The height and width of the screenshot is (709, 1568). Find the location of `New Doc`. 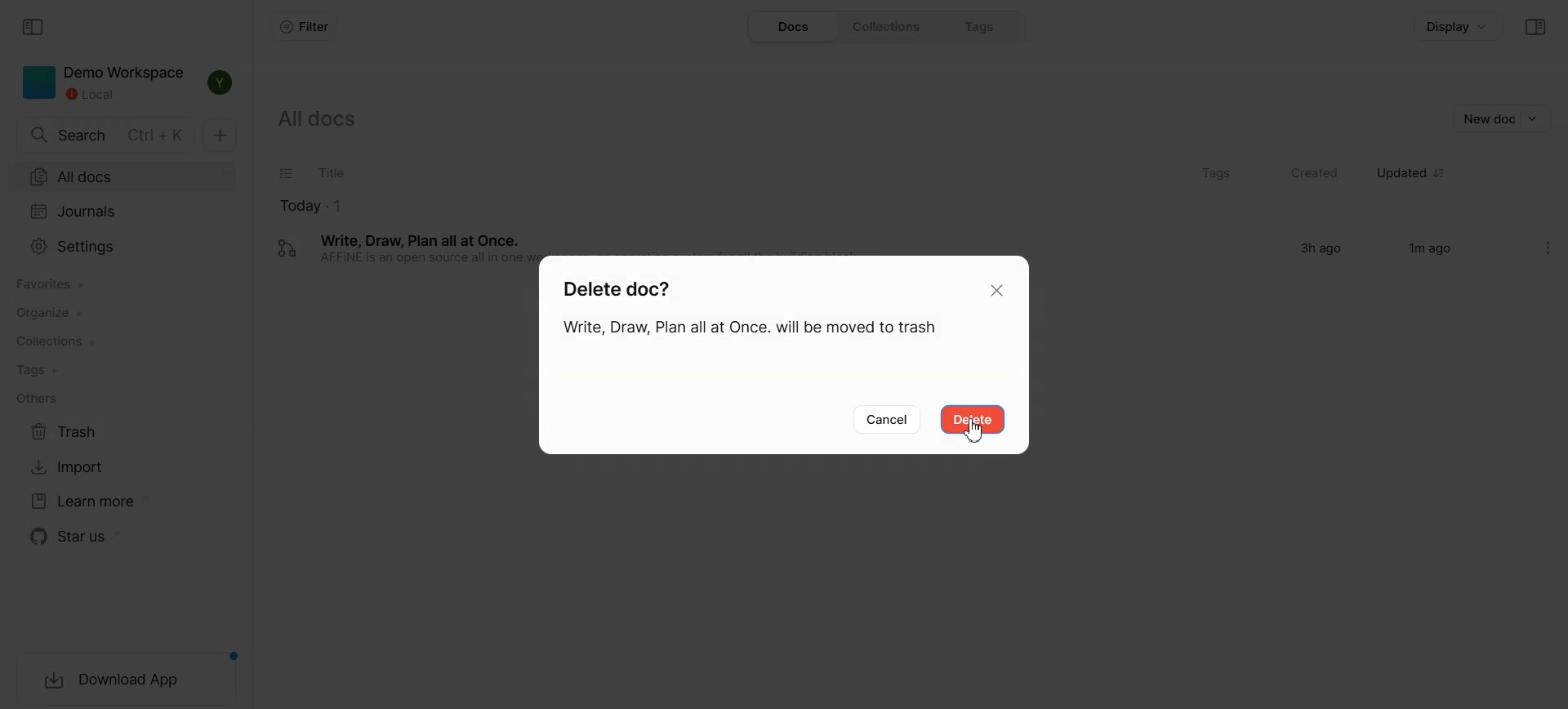

New Doc is located at coordinates (219, 136).